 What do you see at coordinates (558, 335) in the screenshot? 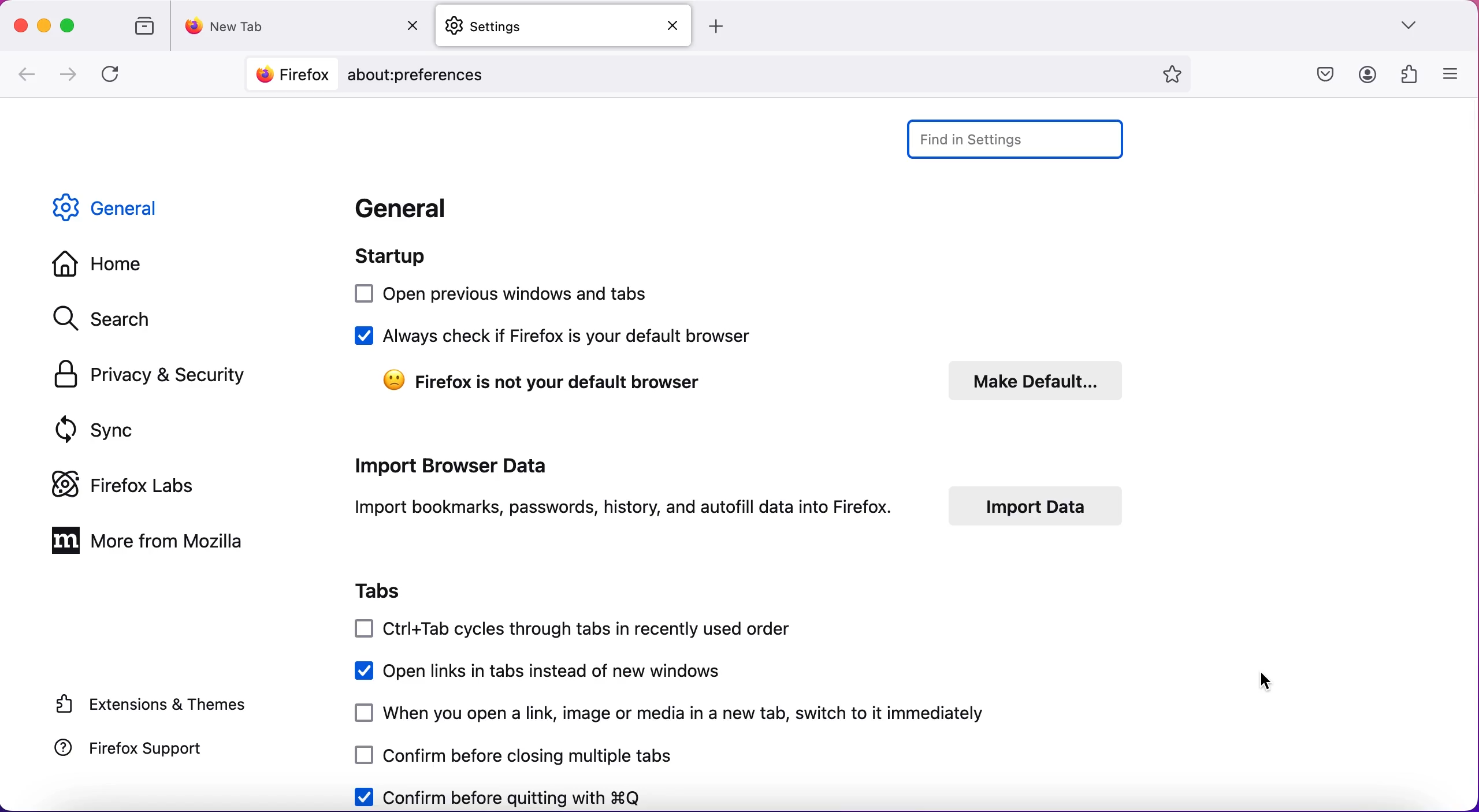
I see `always check if firefox is your default browser` at bounding box center [558, 335].